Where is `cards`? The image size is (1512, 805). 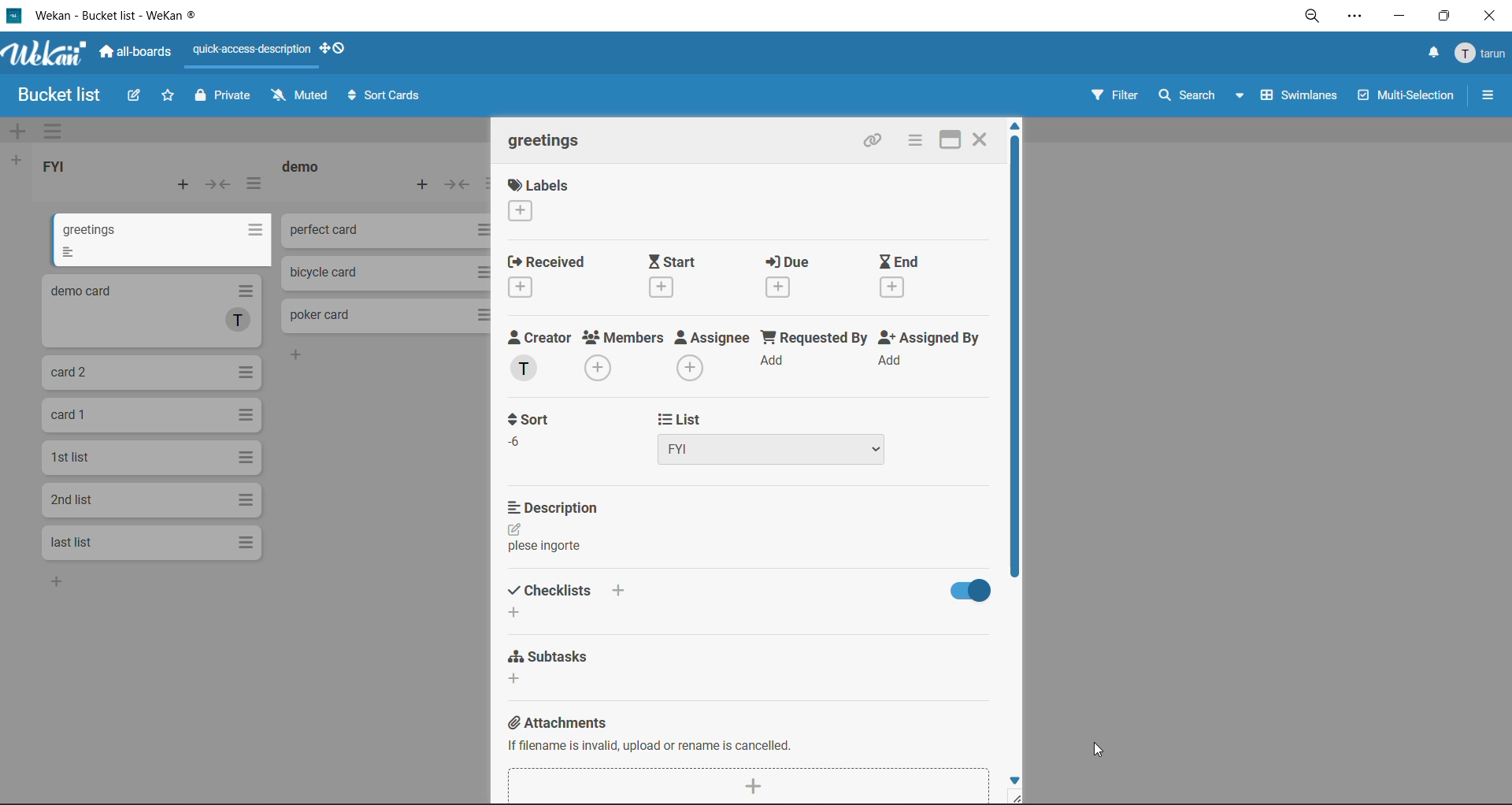 cards is located at coordinates (150, 541).